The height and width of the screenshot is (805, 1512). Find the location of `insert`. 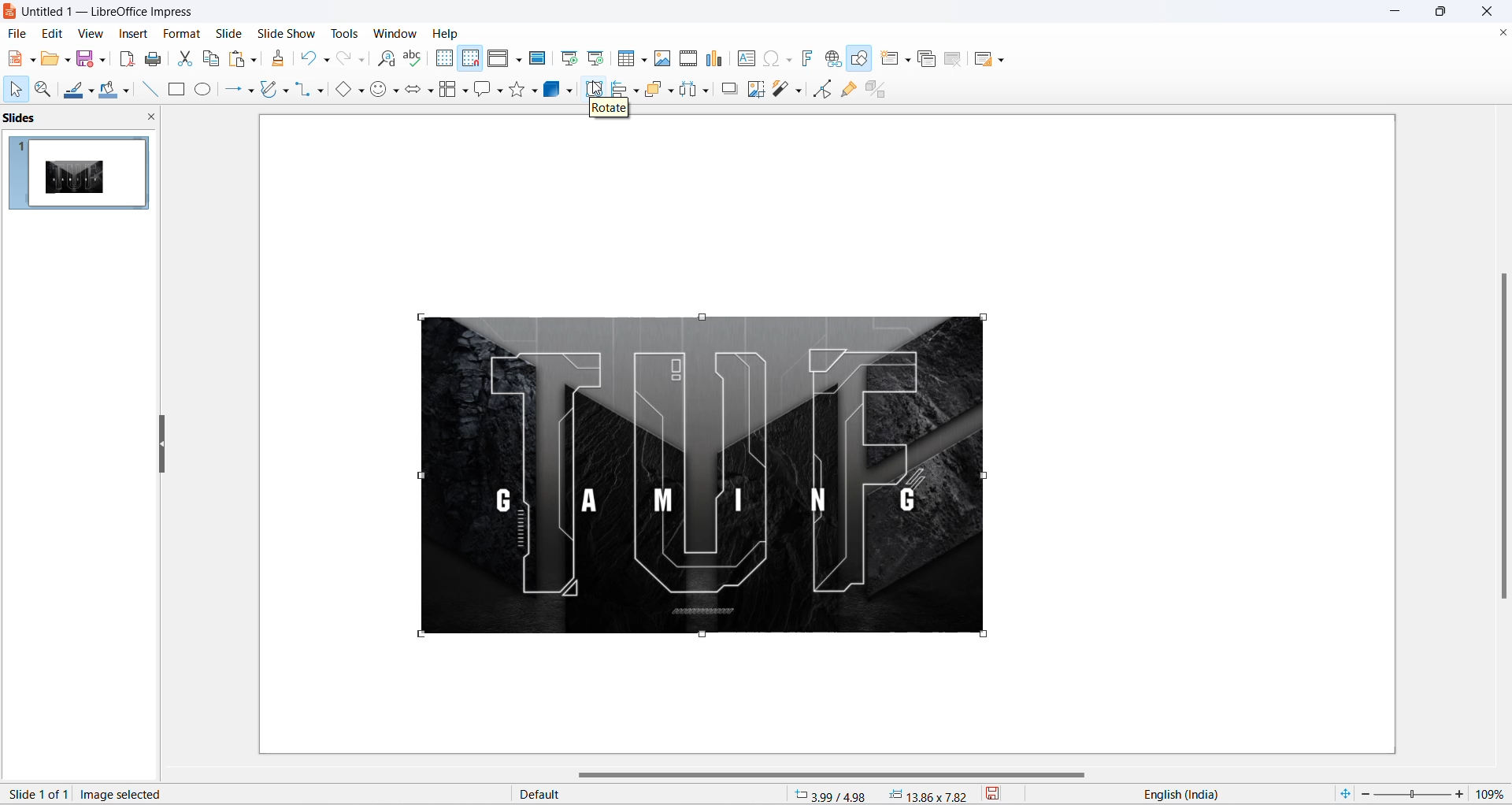

insert is located at coordinates (132, 35).